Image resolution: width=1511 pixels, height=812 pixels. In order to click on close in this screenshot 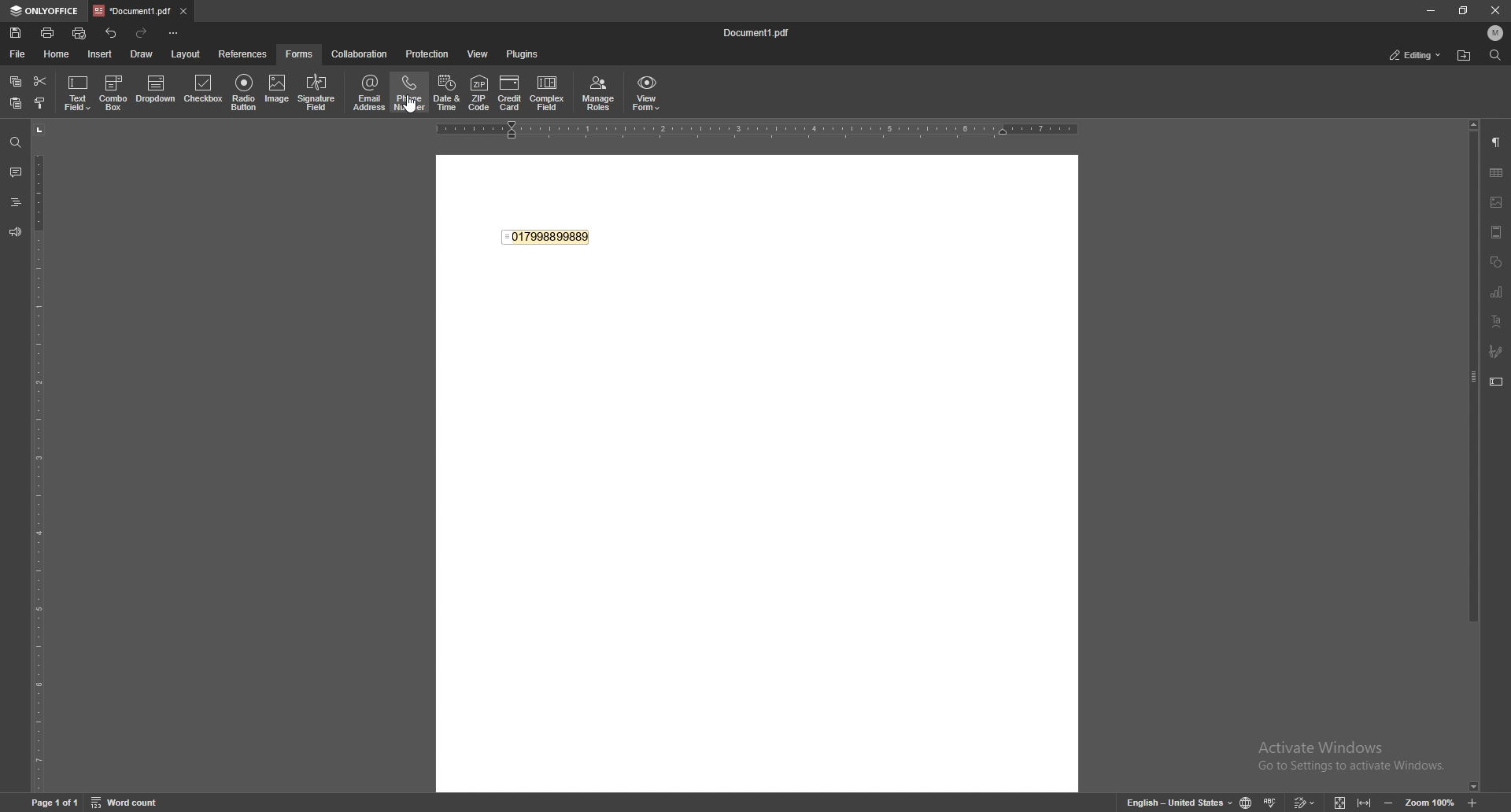, I will do `click(1497, 11)`.